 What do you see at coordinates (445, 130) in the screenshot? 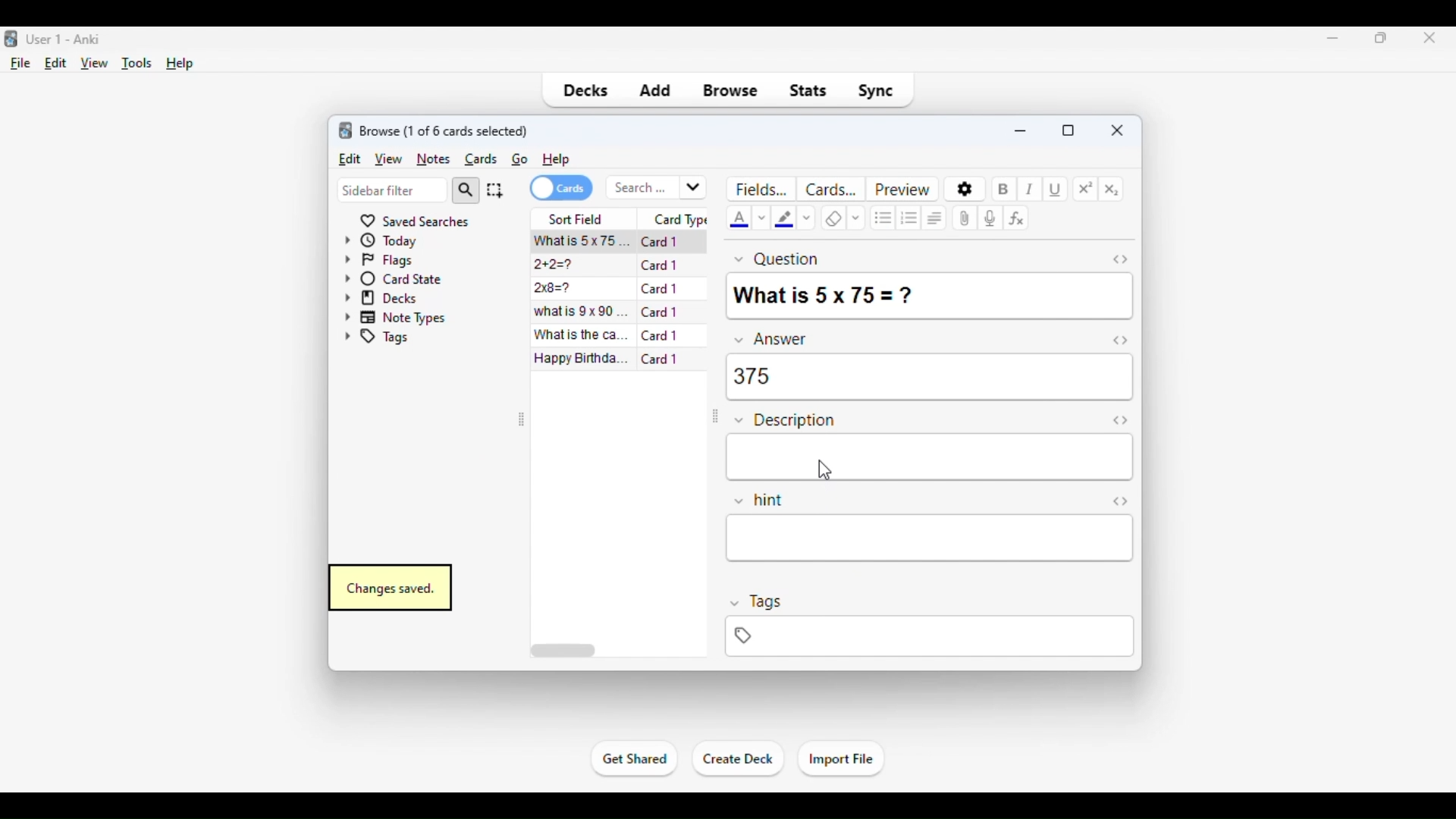
I see `browse (1 of 6 cards selected)` at bounding box center [445, 130].